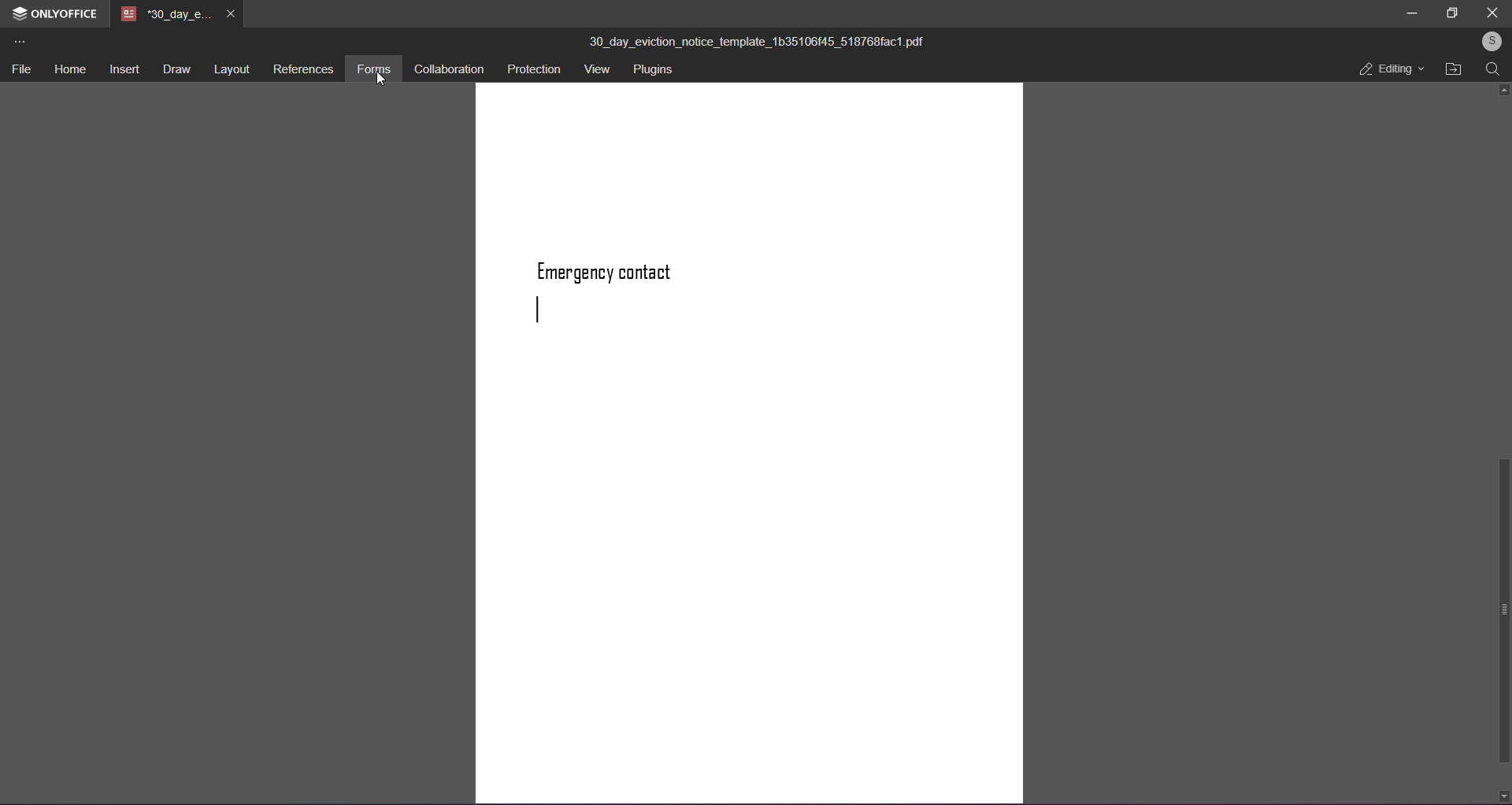  Describe the element at coordinates (1502, 611) in the screenshot. I see `scroll bar` at that location.